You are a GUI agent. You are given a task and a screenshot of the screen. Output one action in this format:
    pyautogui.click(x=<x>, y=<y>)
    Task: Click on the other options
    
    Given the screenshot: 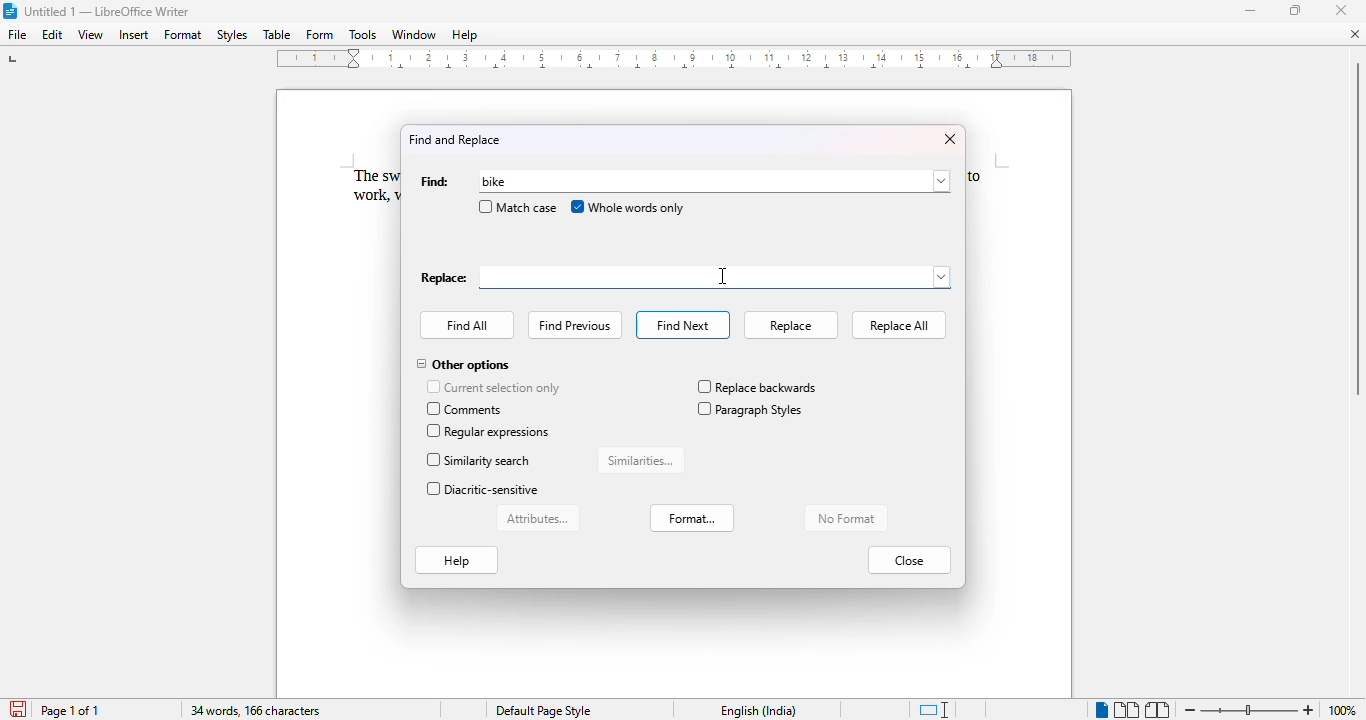 What is the action you would take?
    pyautogui.click(x=463, y=366)
    